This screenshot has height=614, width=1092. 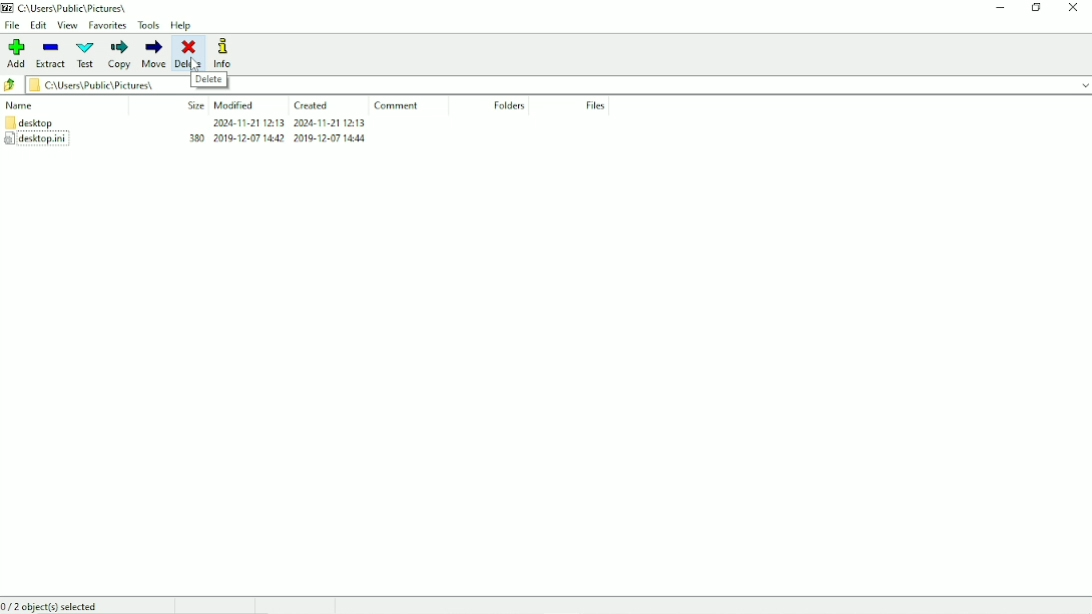 What do you see at coordinates (194, 104) in the screenshot?
I see `Size` at bounding box center [194, 104].